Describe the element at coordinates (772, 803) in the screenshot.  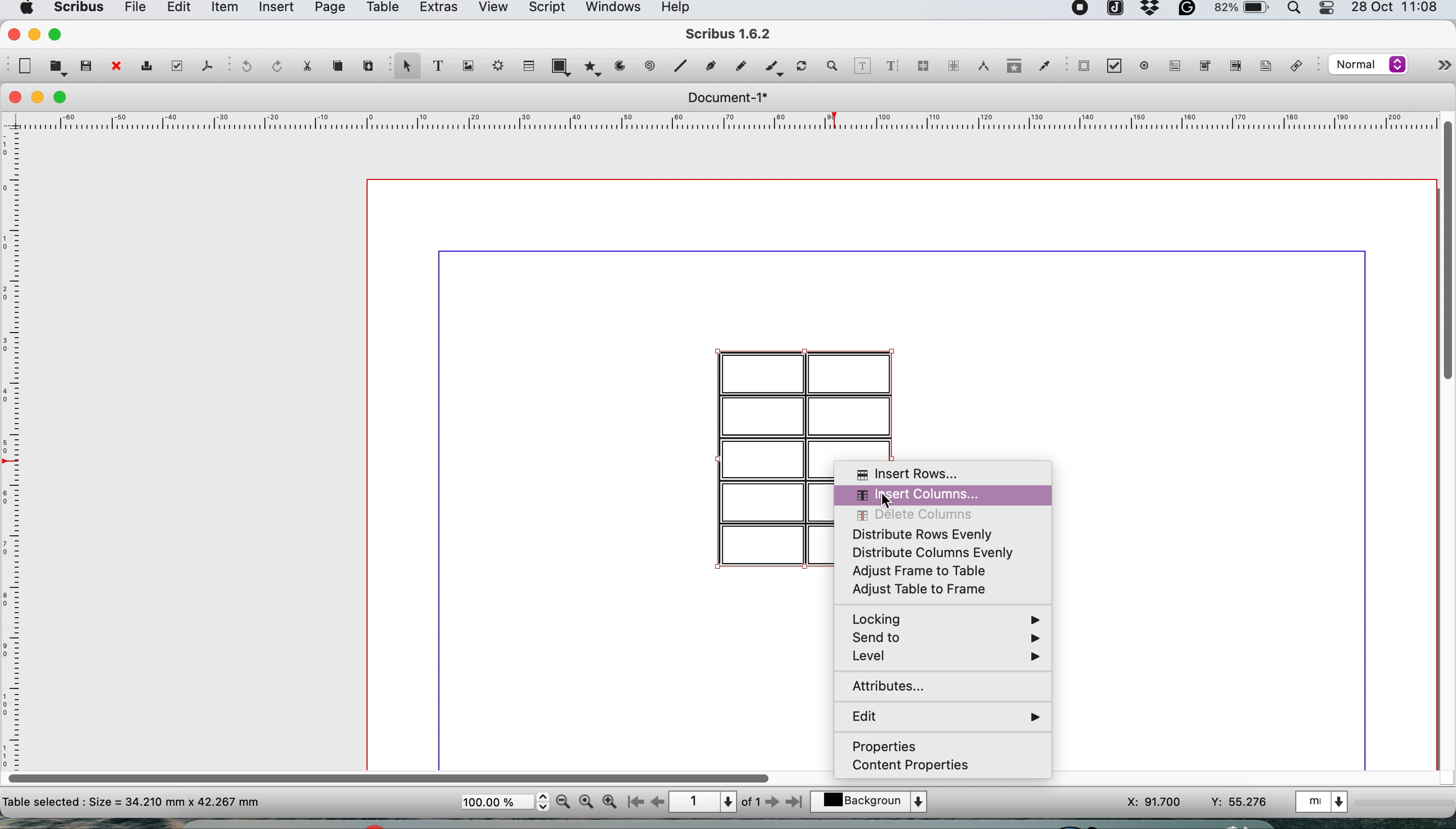
I see `go to next page` at that location.